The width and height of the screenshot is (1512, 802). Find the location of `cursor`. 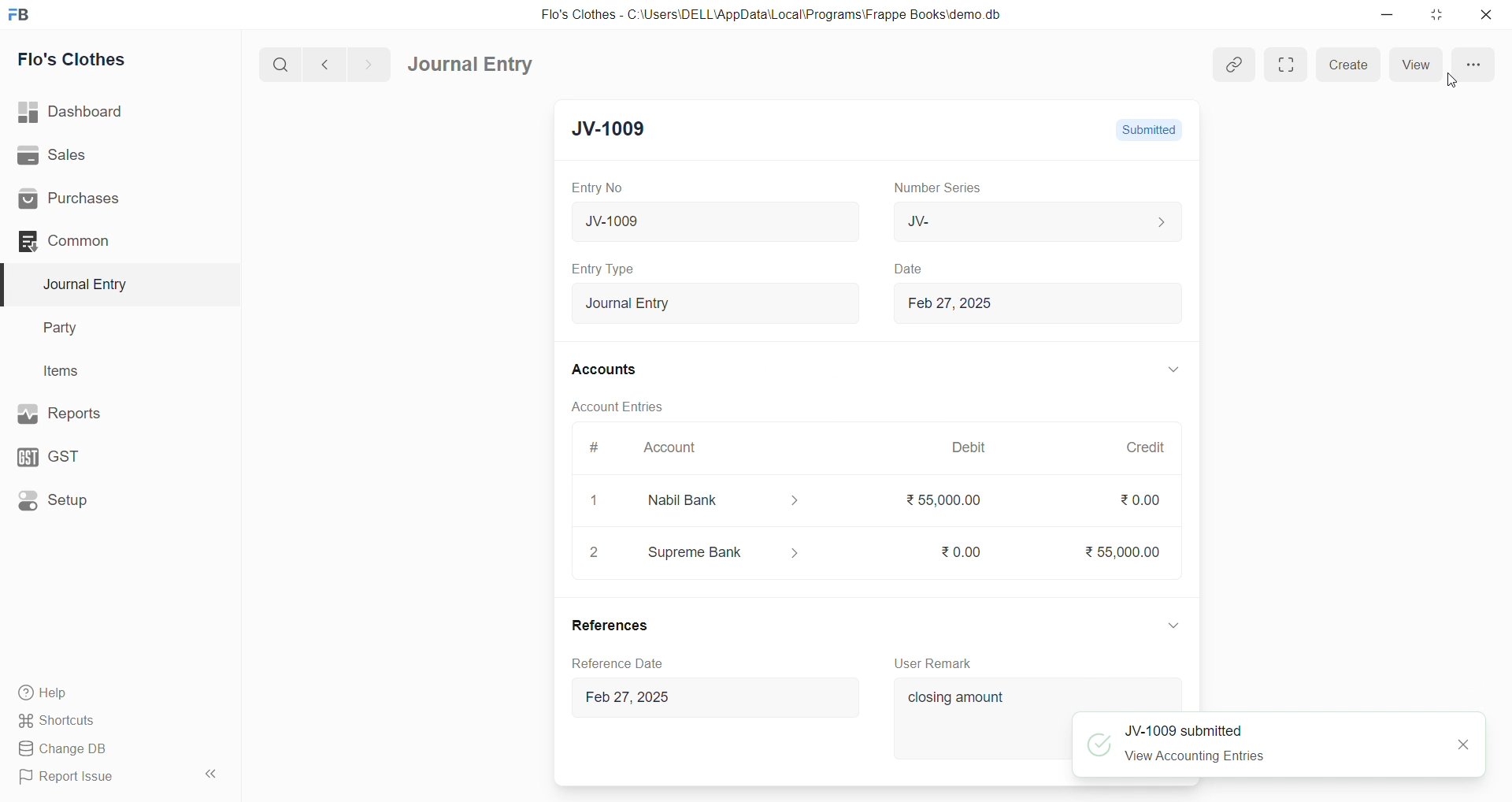

cursor is located at coordinates (1452, 84).